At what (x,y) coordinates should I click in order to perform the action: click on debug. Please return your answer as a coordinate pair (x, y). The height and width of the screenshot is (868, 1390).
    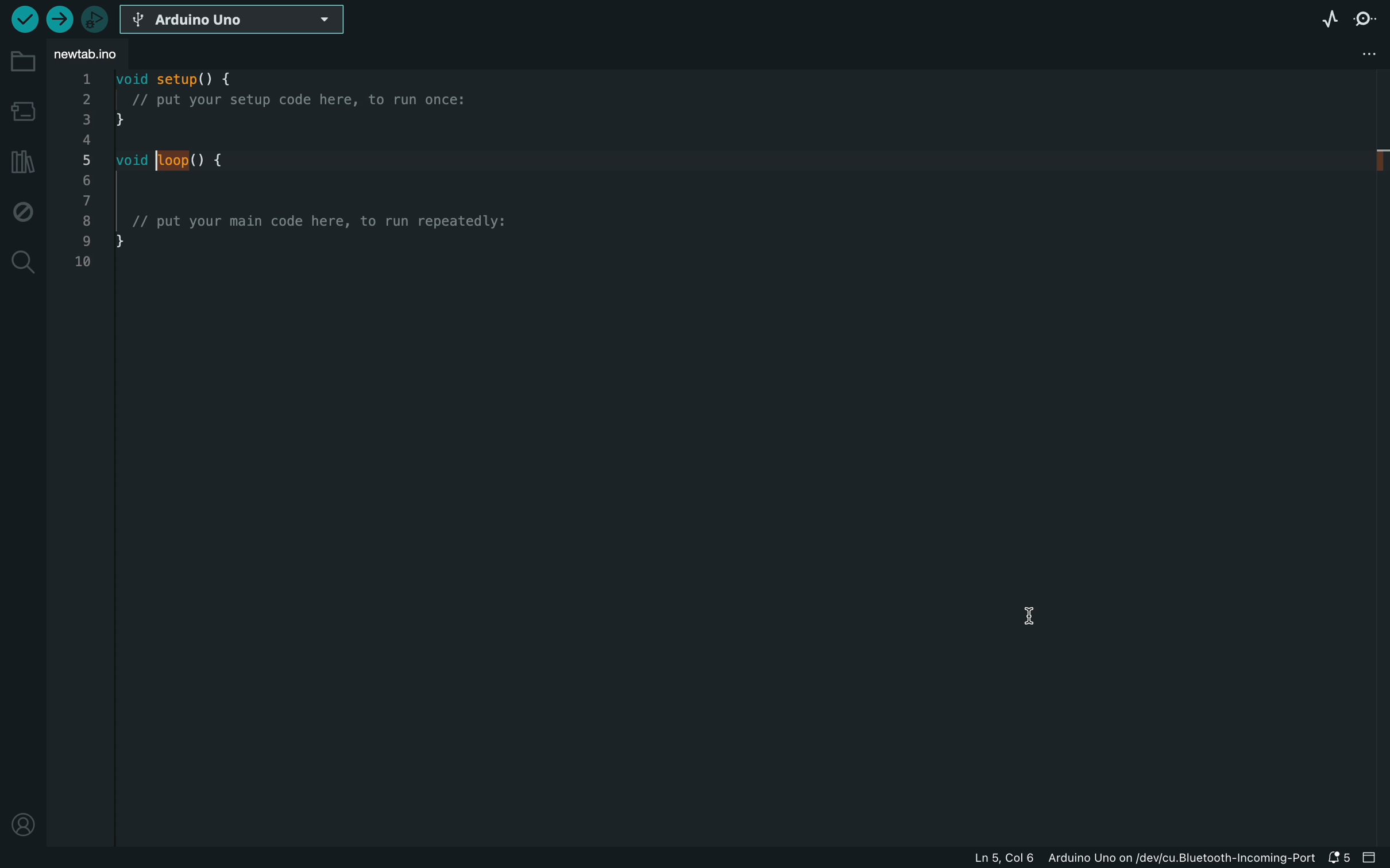
    Looking at the image, I should click on (98, 18).